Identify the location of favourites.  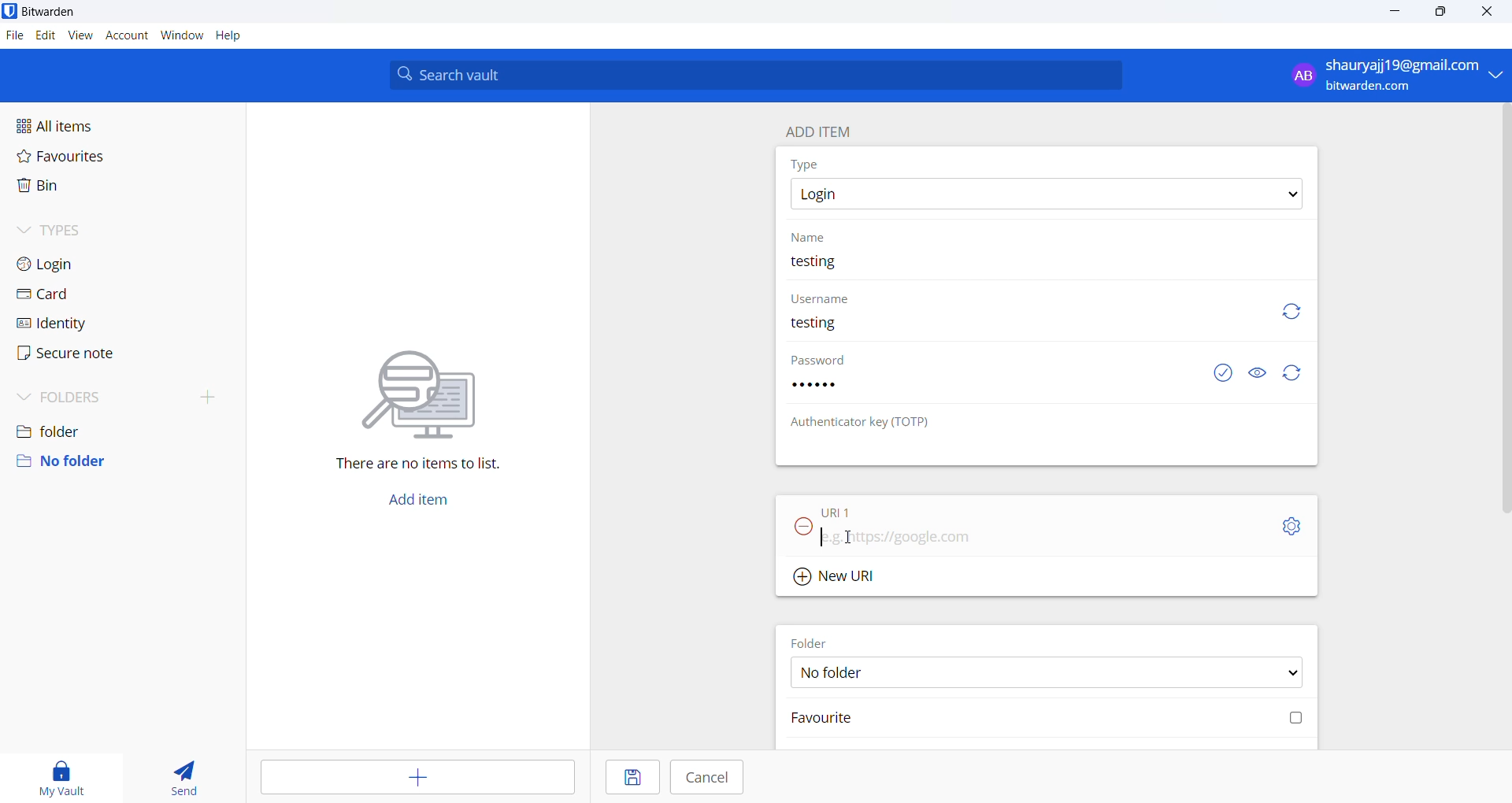
(89, 156).